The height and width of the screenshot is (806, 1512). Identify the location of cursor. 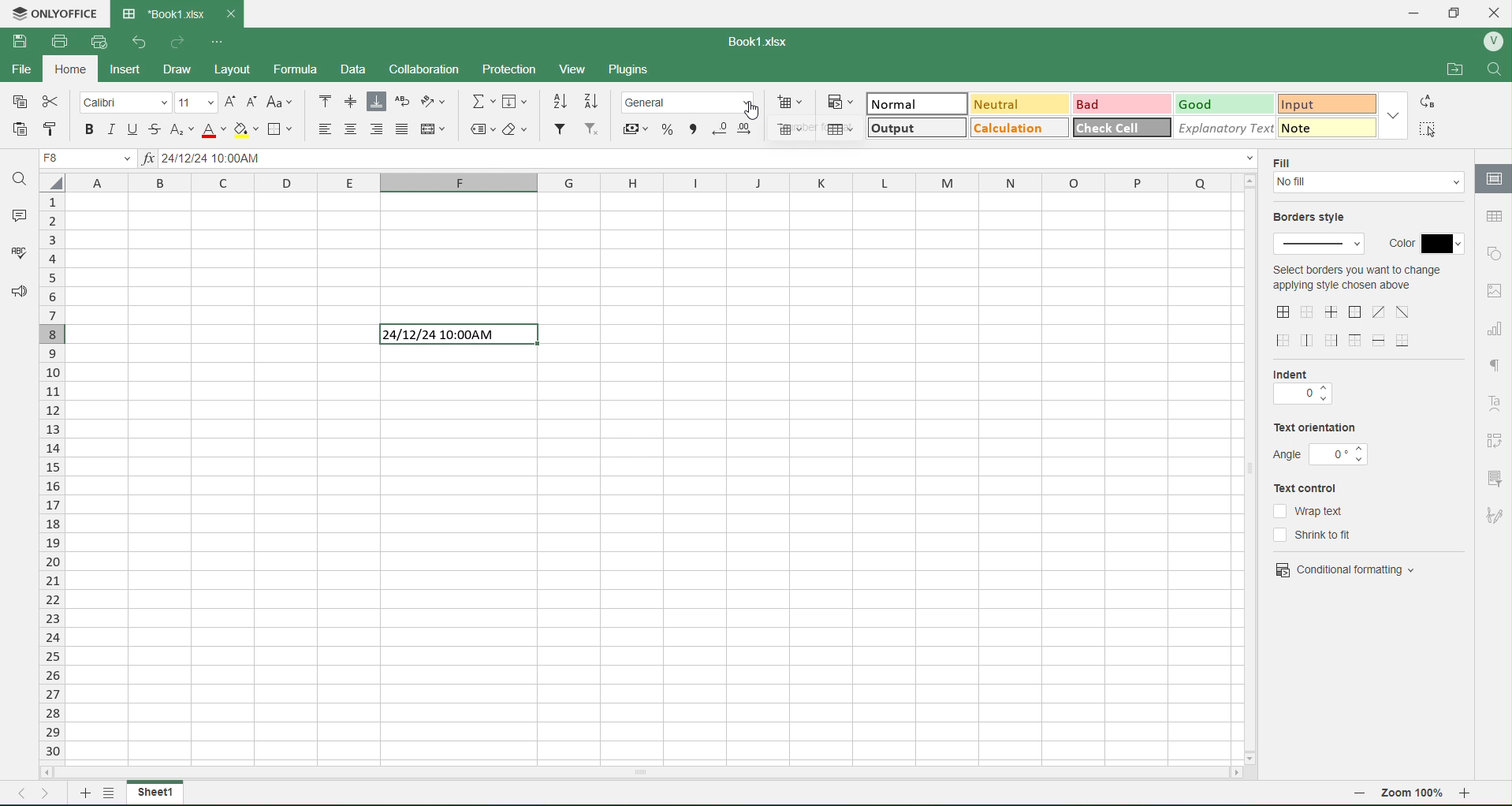
(756, 110).